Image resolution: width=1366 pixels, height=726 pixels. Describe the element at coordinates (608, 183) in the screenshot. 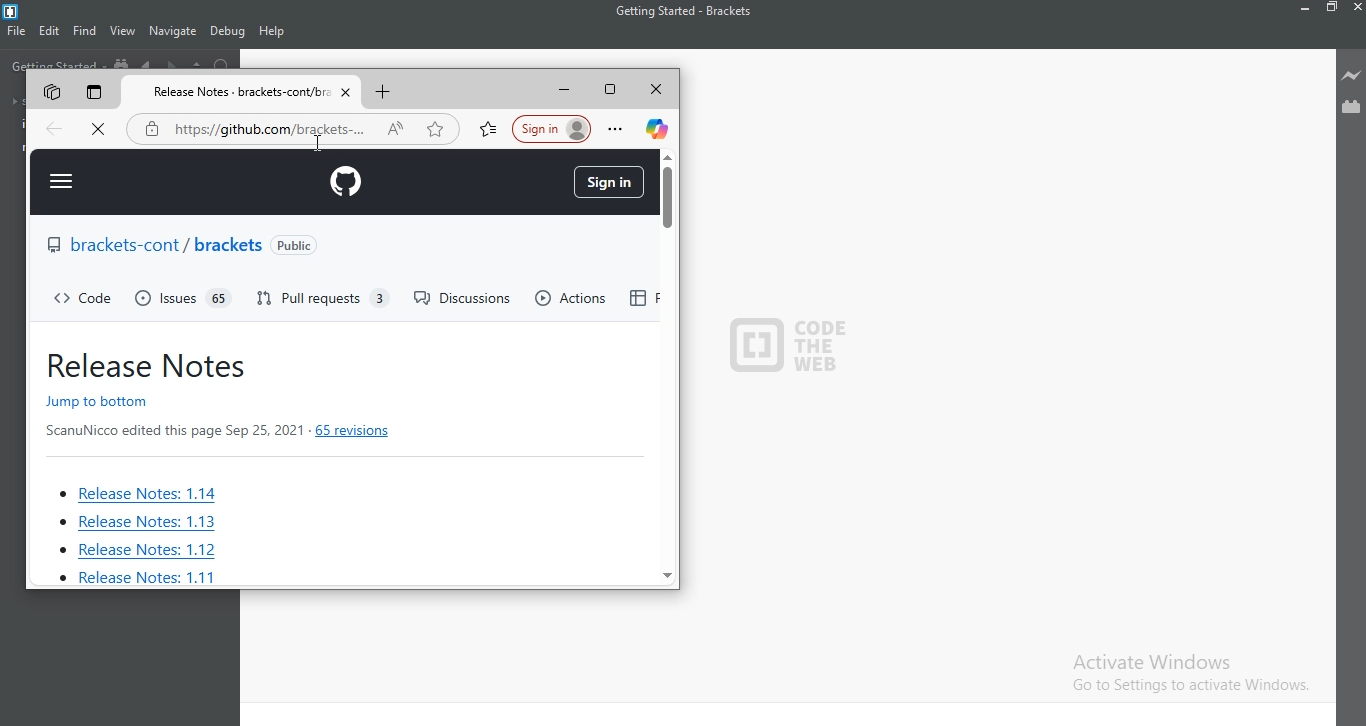

I see `sign in` at that location.